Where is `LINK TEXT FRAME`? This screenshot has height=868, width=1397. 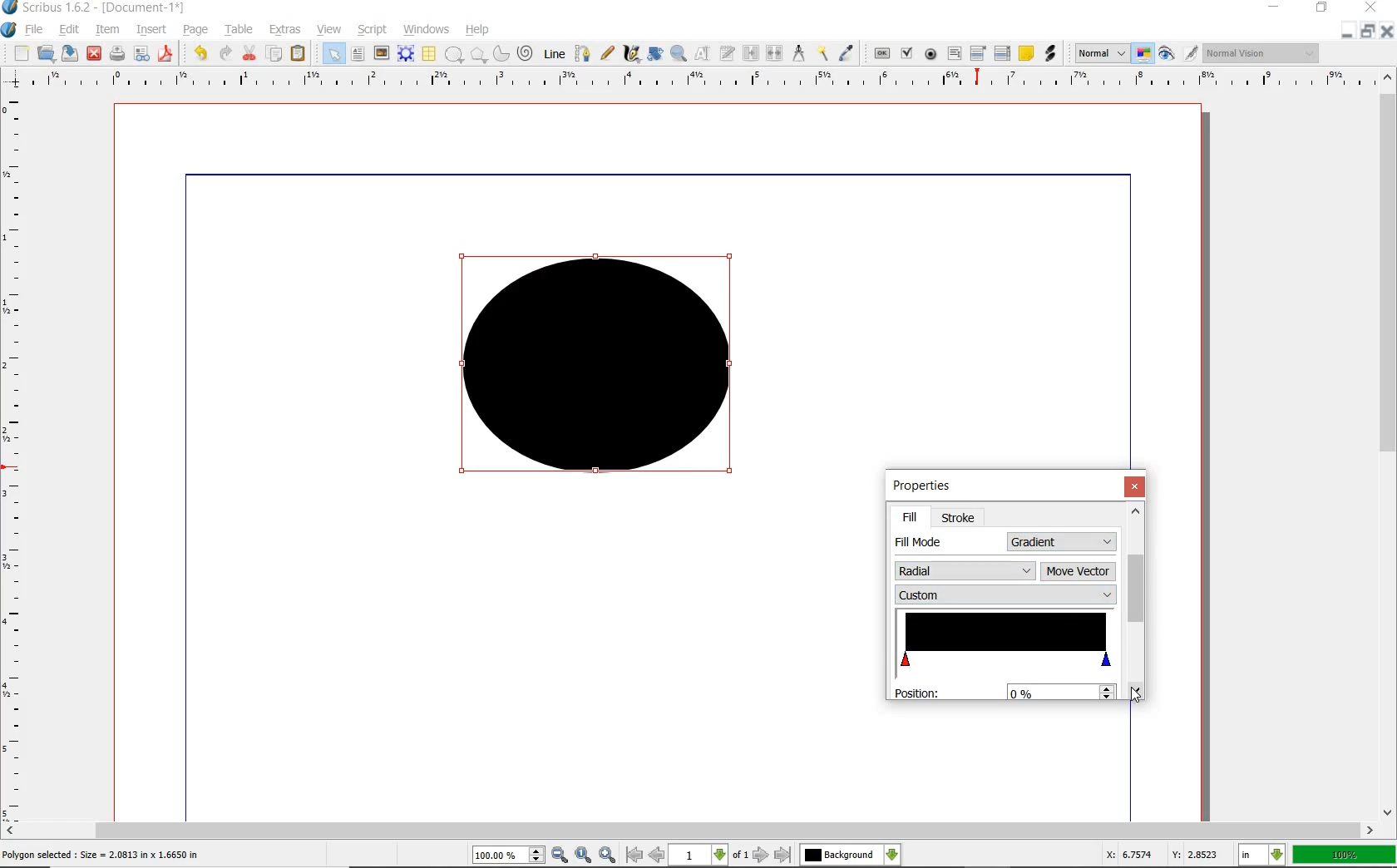 LINK TEXT FRAME is located at coordinates (751, 52).